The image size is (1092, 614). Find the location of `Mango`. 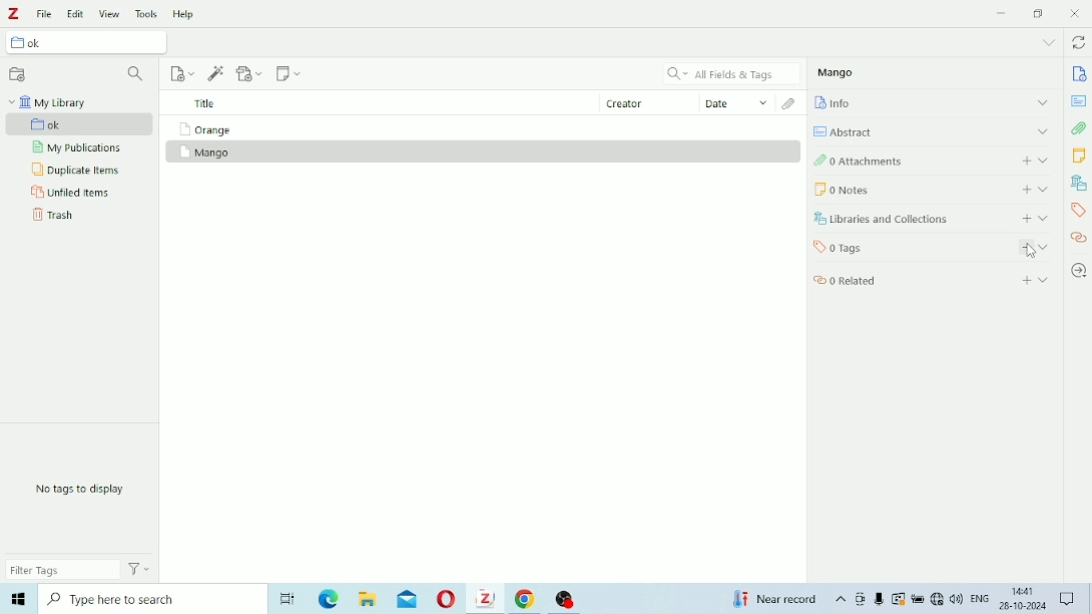

Mango is located at coordinates (205, 153).